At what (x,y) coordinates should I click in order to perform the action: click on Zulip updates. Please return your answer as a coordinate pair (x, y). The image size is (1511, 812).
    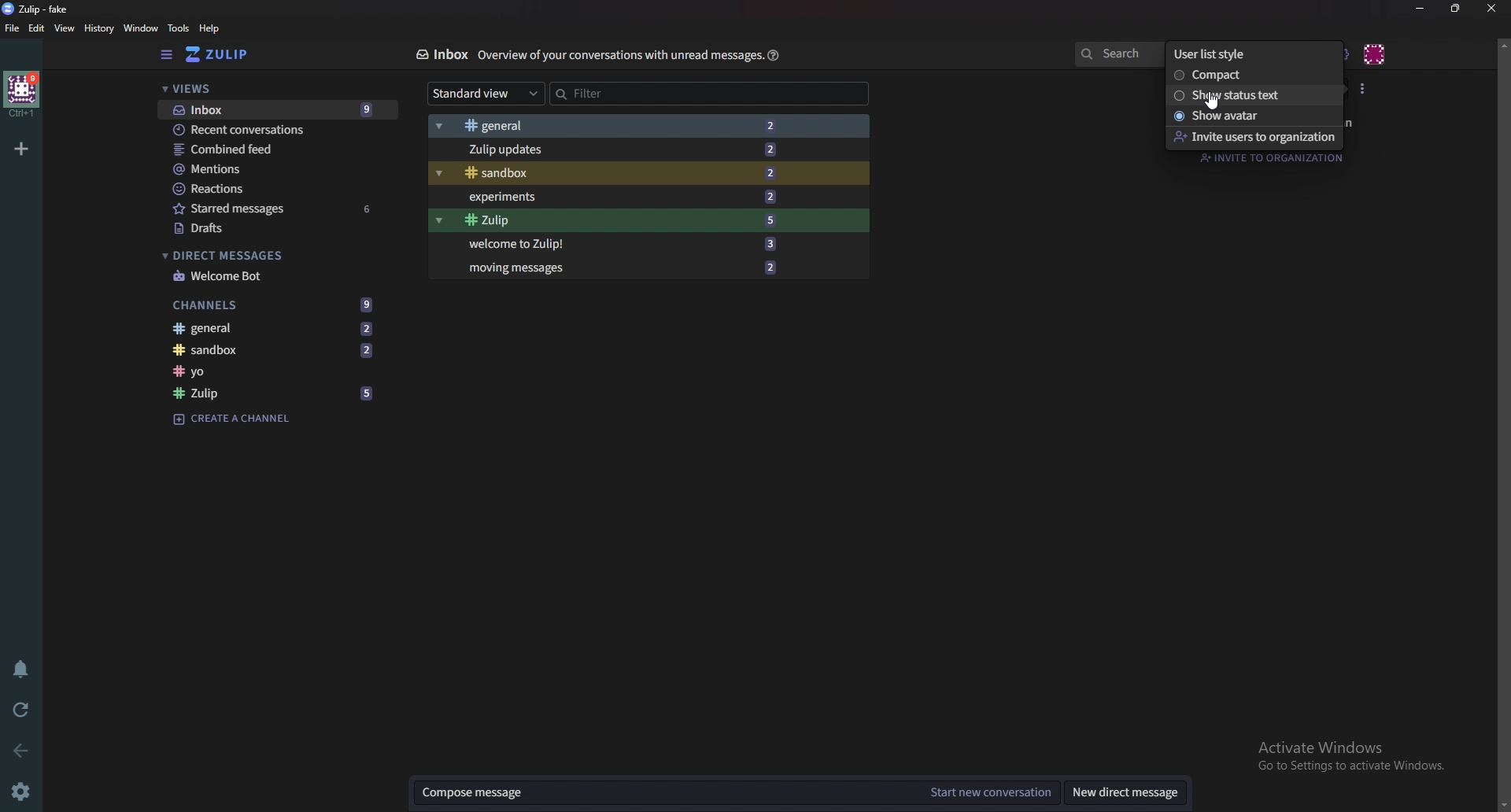
    Looking at the image, I should click on (617, 150).